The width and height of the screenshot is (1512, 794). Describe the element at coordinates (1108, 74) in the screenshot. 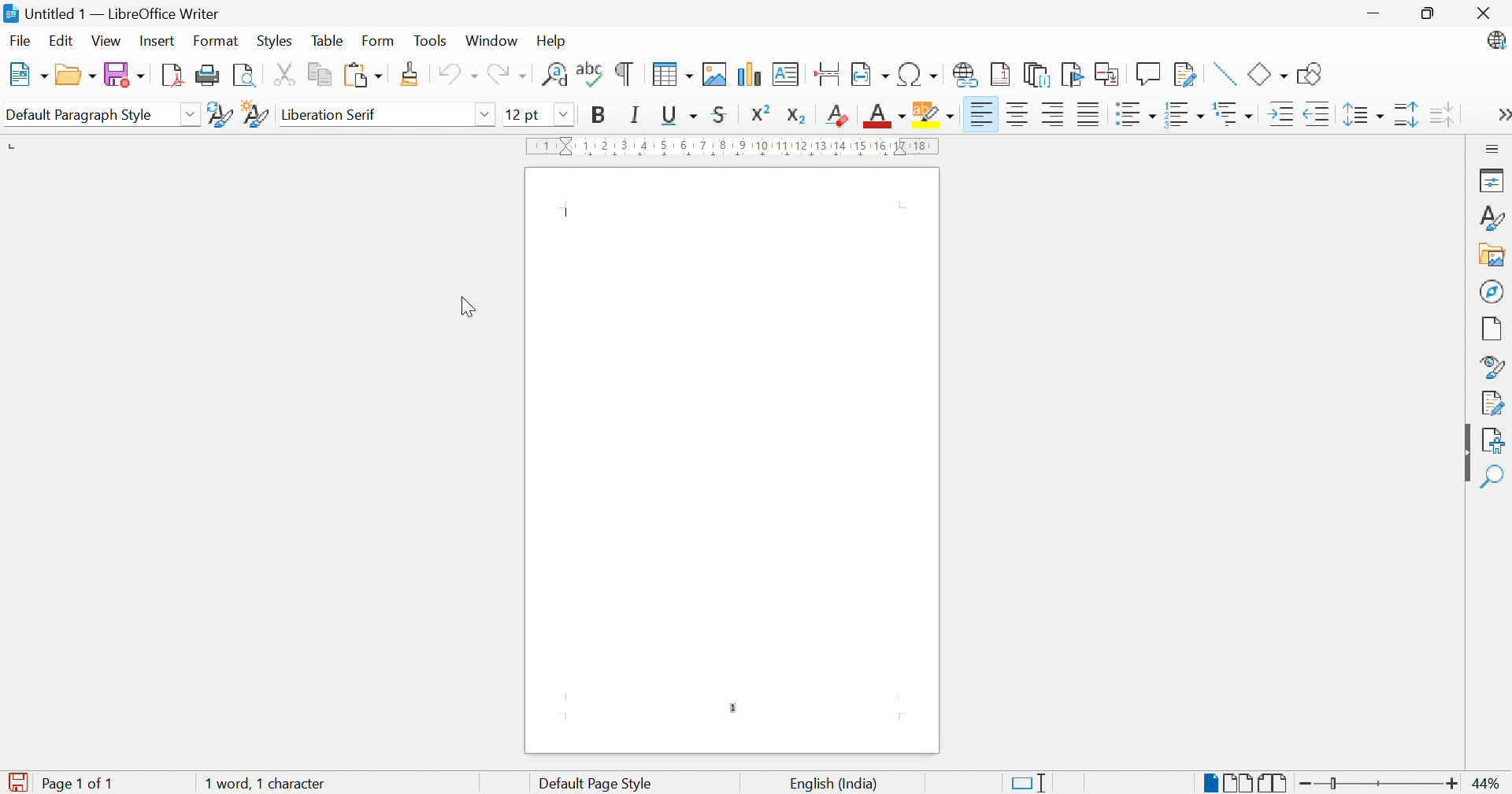

I see `Insert cross-reference` at that location.